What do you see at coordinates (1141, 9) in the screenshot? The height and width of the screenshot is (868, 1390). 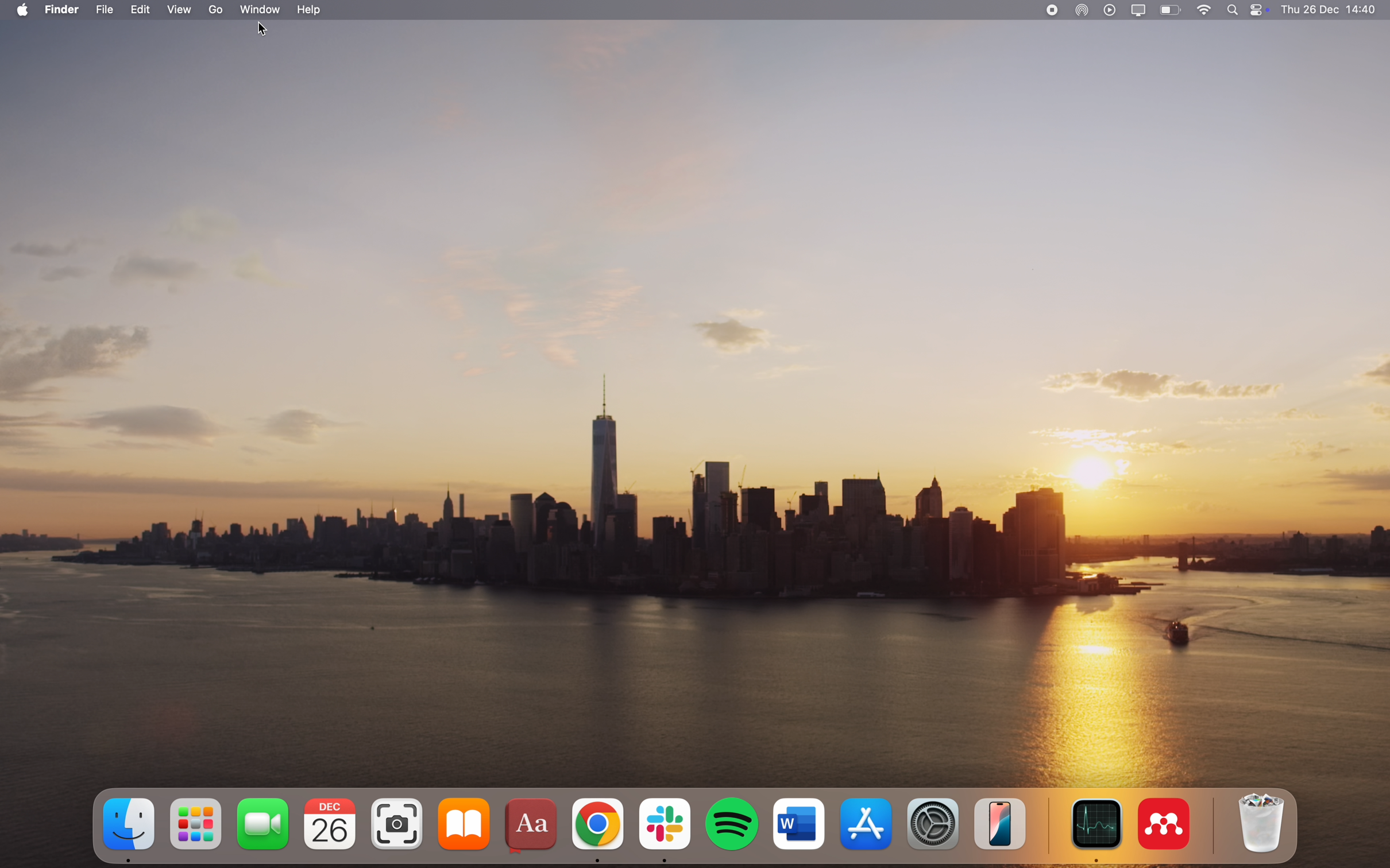 I see `screen` at bounding box center [1141, 9].